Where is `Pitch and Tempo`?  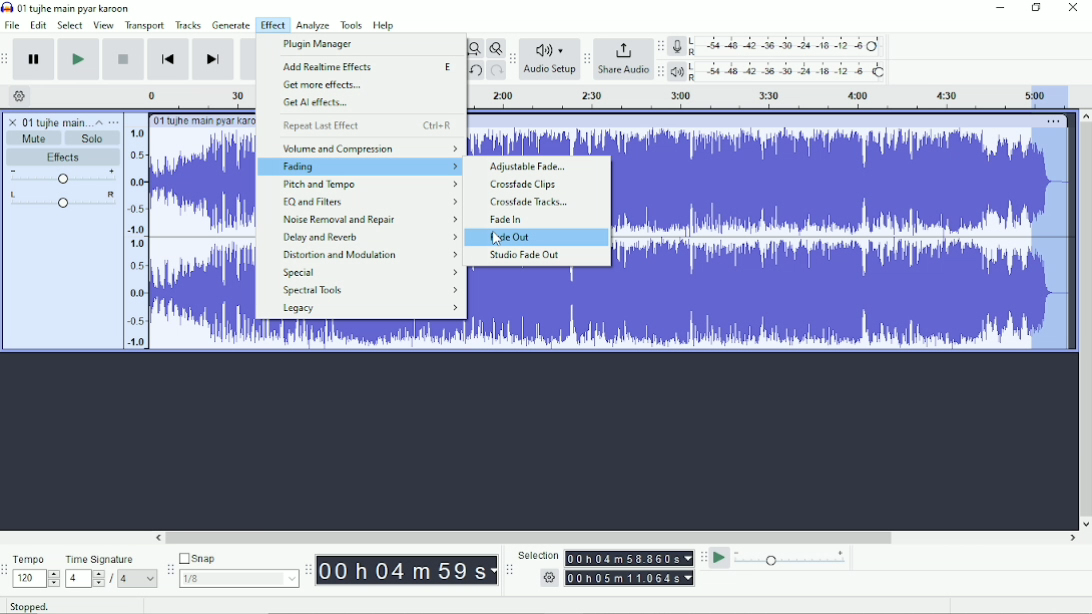 Pitch and Tempo is located at coordinates (369, 185).